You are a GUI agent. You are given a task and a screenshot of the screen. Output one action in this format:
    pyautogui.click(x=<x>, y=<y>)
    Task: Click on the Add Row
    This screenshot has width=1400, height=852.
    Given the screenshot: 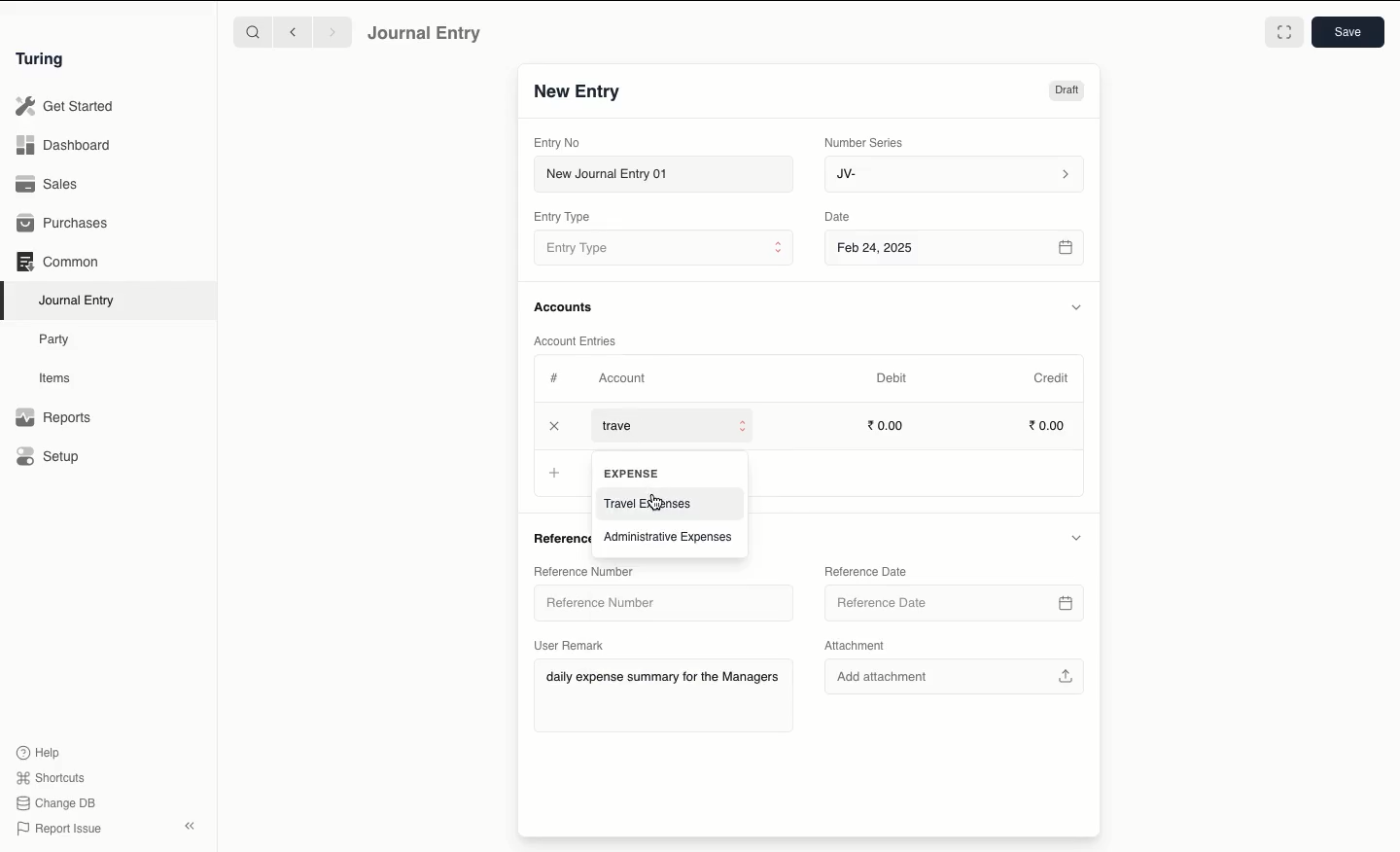 What is the action you would take?
    pyautogui.click(x=626, y=427)
    